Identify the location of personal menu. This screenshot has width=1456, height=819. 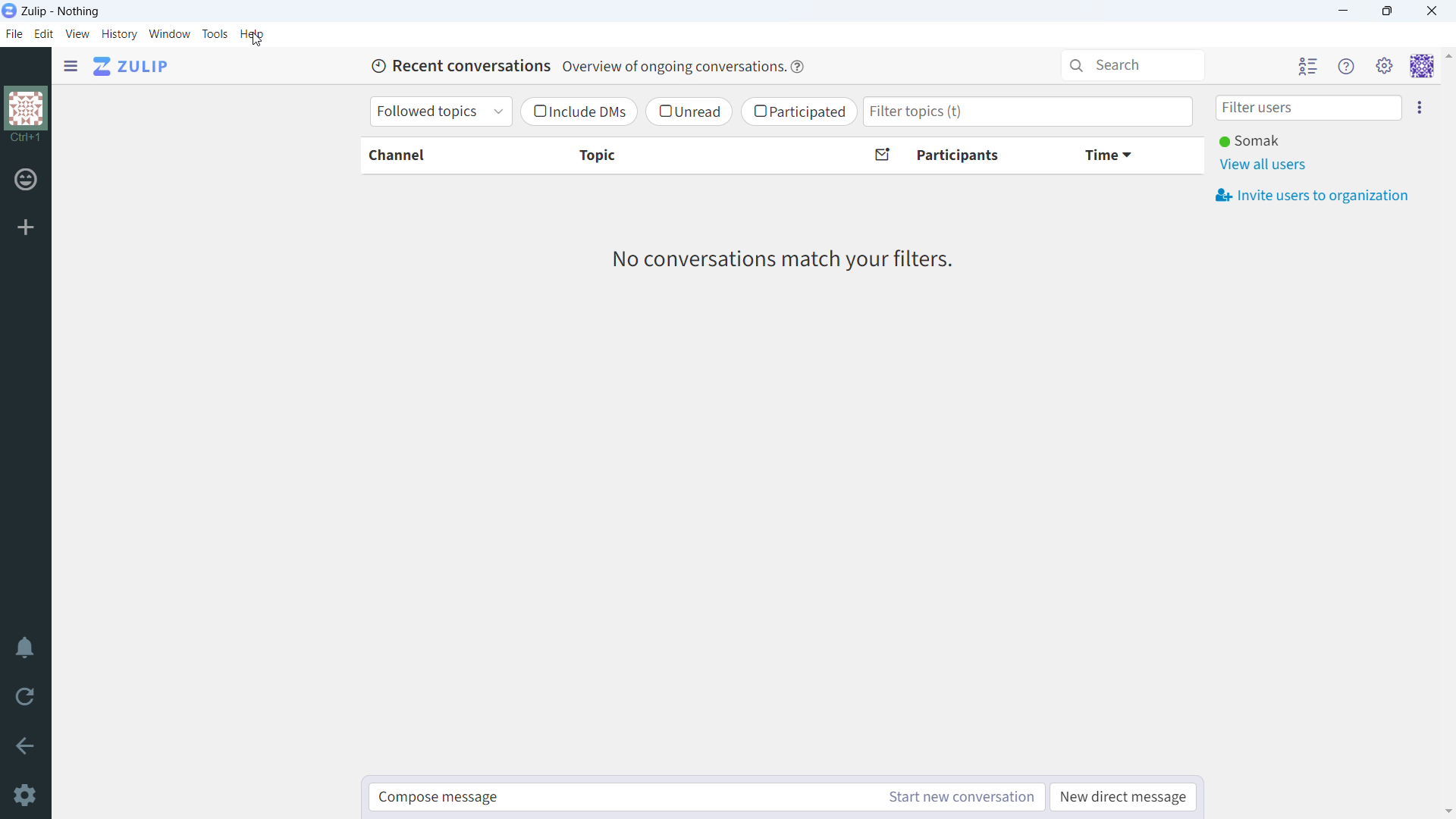
(1421, 66).